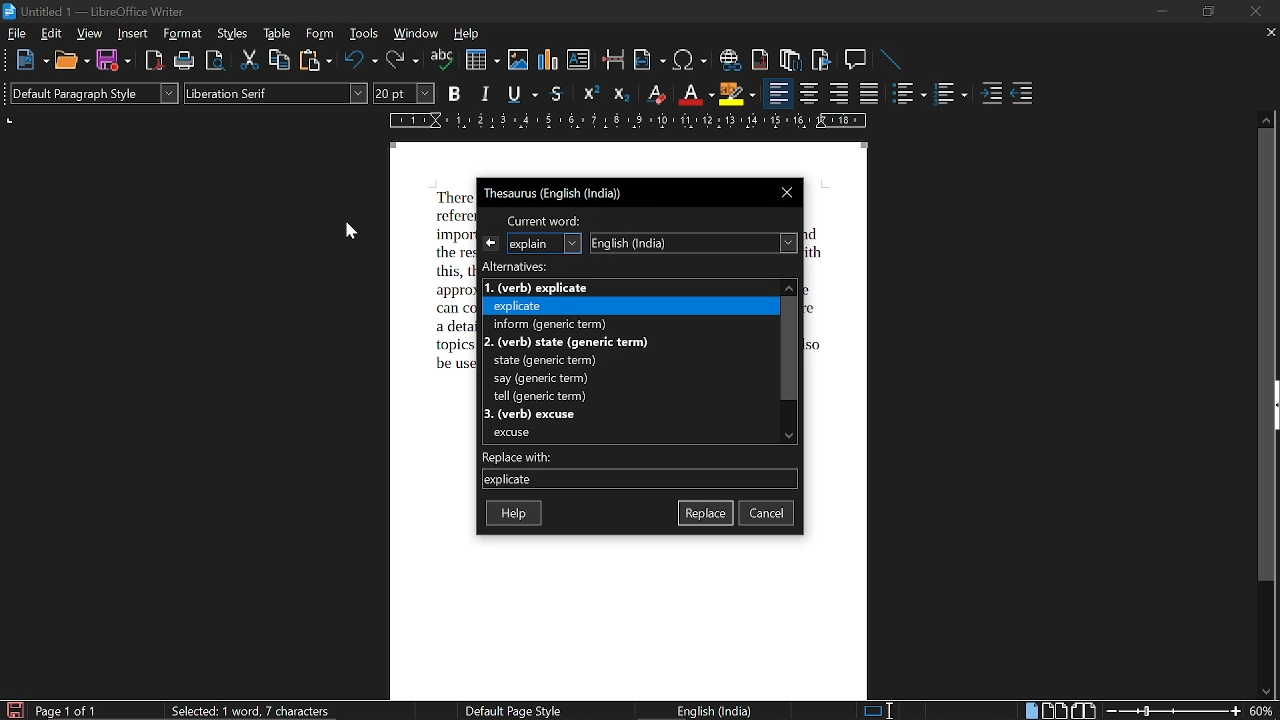  I want to click on current zoom, so click(1263, 711).